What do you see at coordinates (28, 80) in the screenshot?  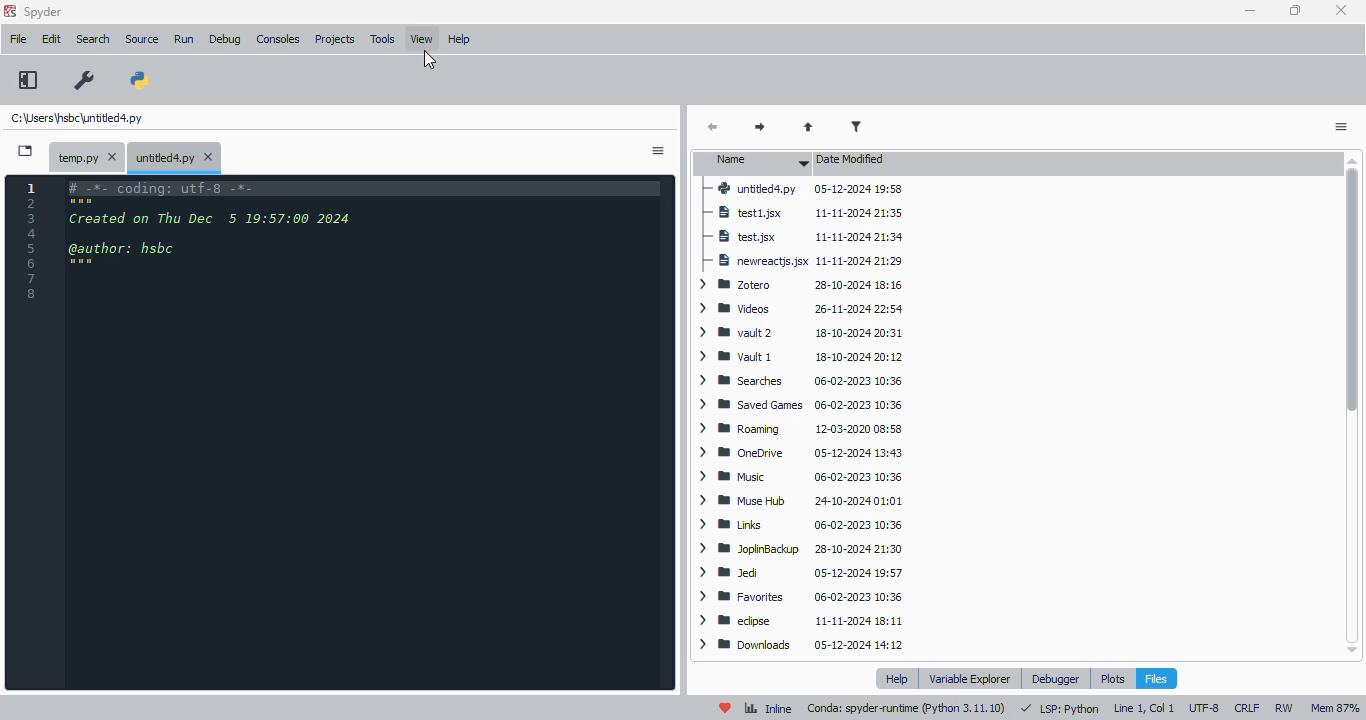 I see `maximize current pane` at bounding box center [28, 80].